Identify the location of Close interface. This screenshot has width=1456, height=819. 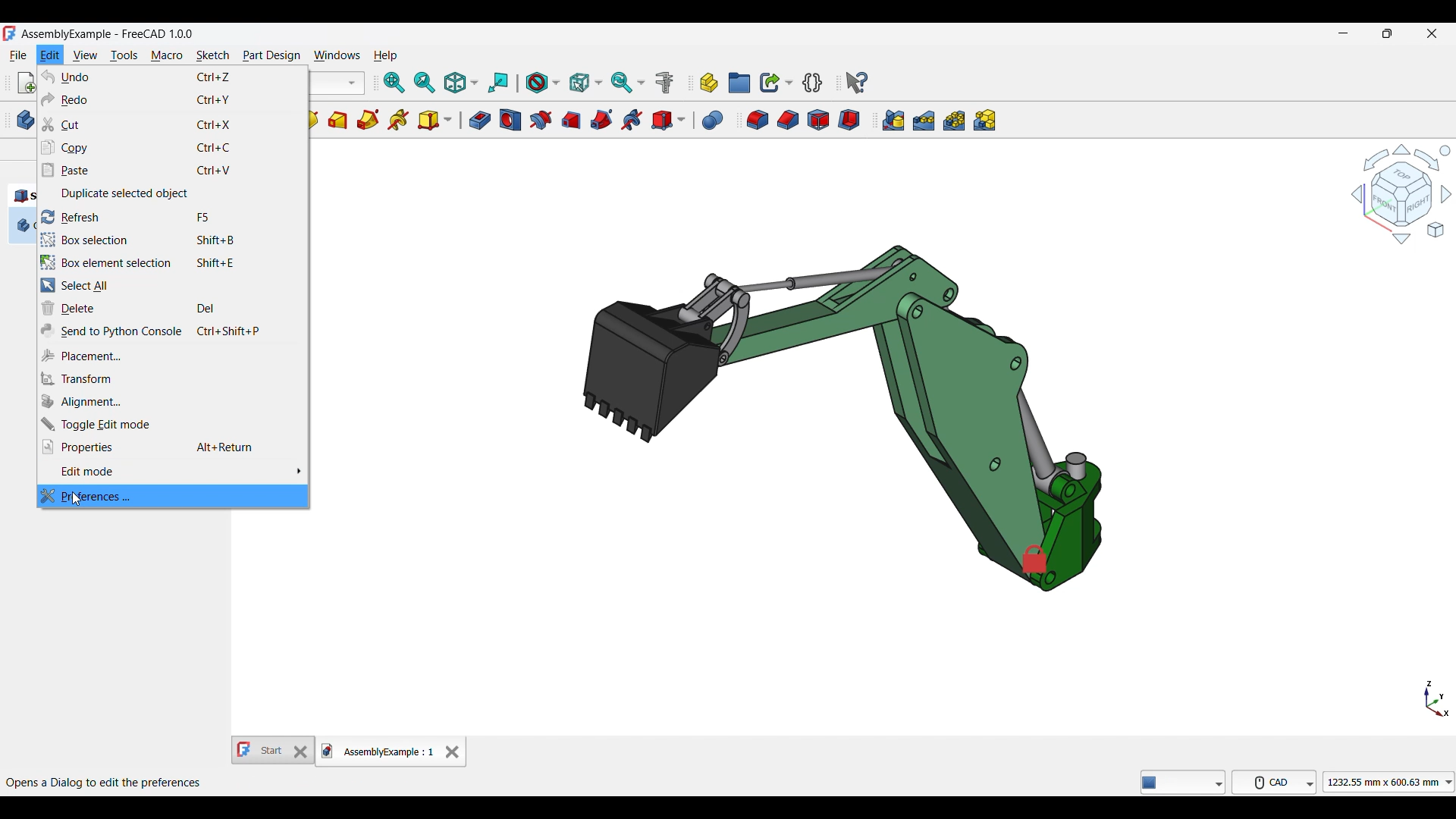
(1432, 34).